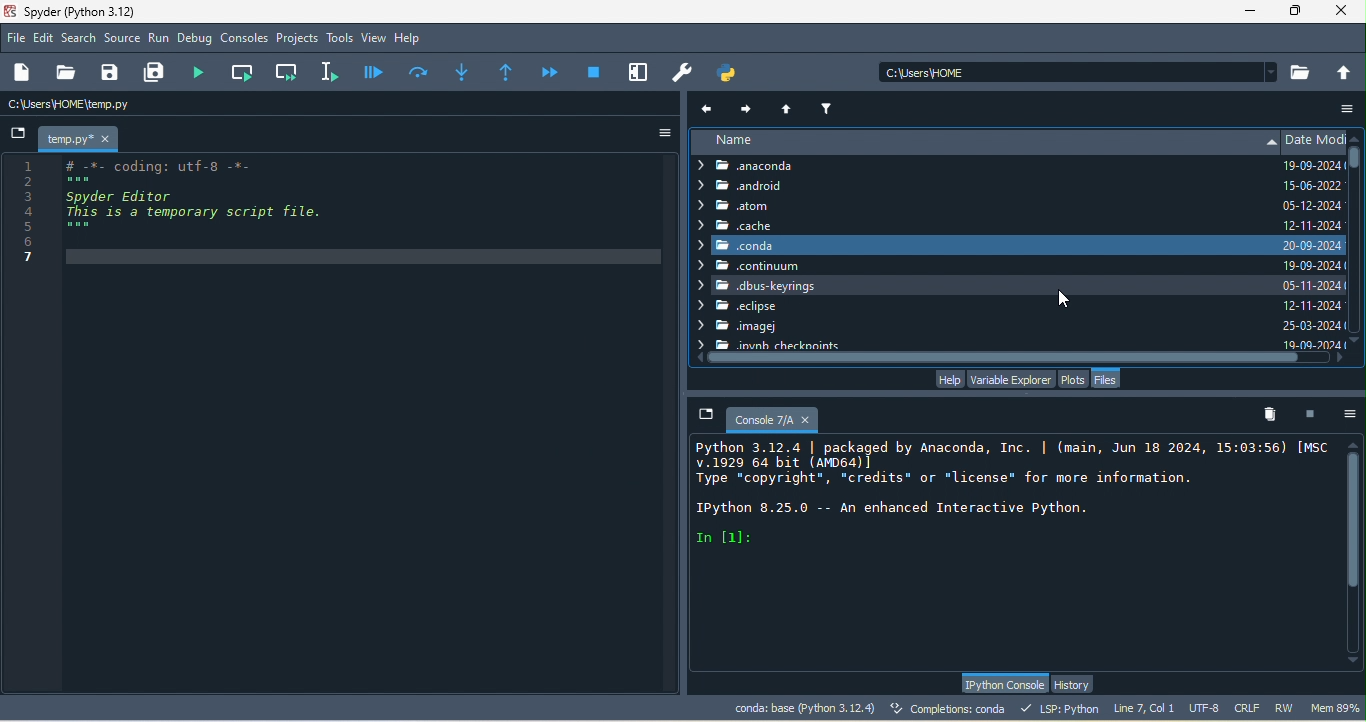 This screenshot has width=1366, height=722. I want to click on crlf, so click(1250, 709).